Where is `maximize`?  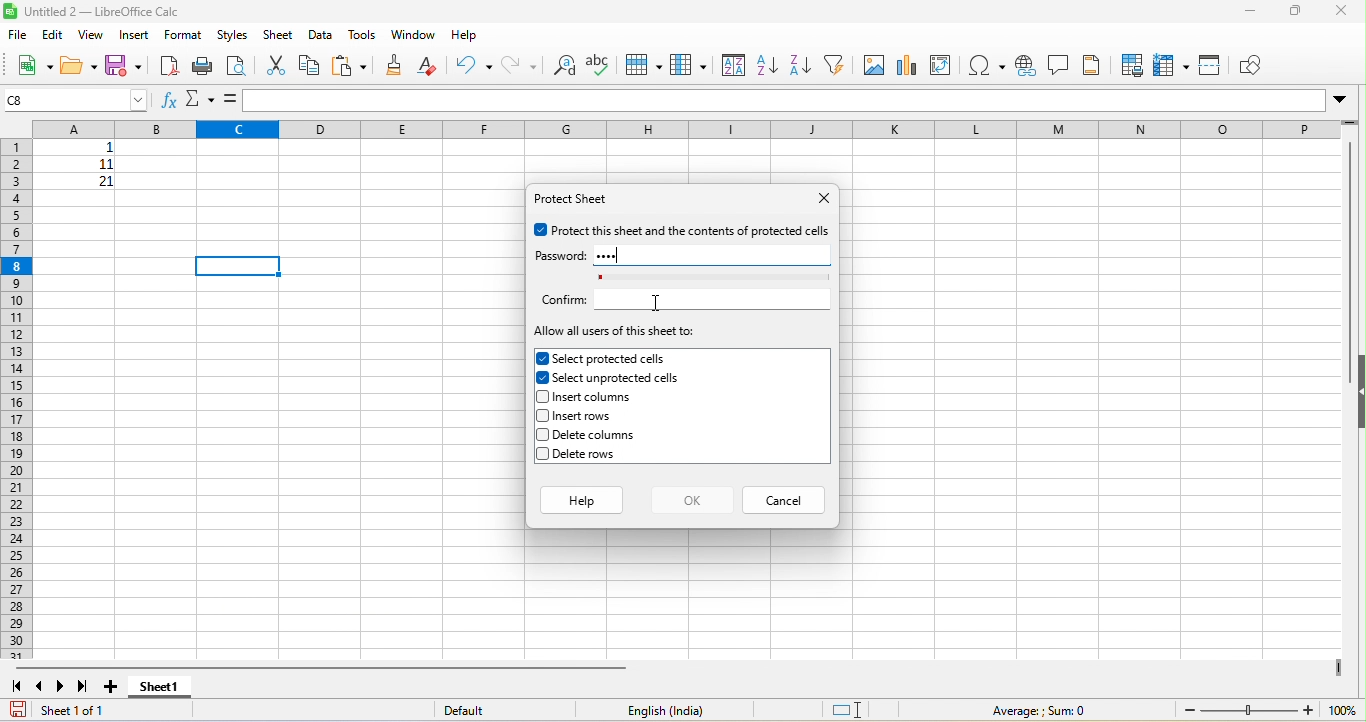 maximize is located at coordinates (1297, 13).